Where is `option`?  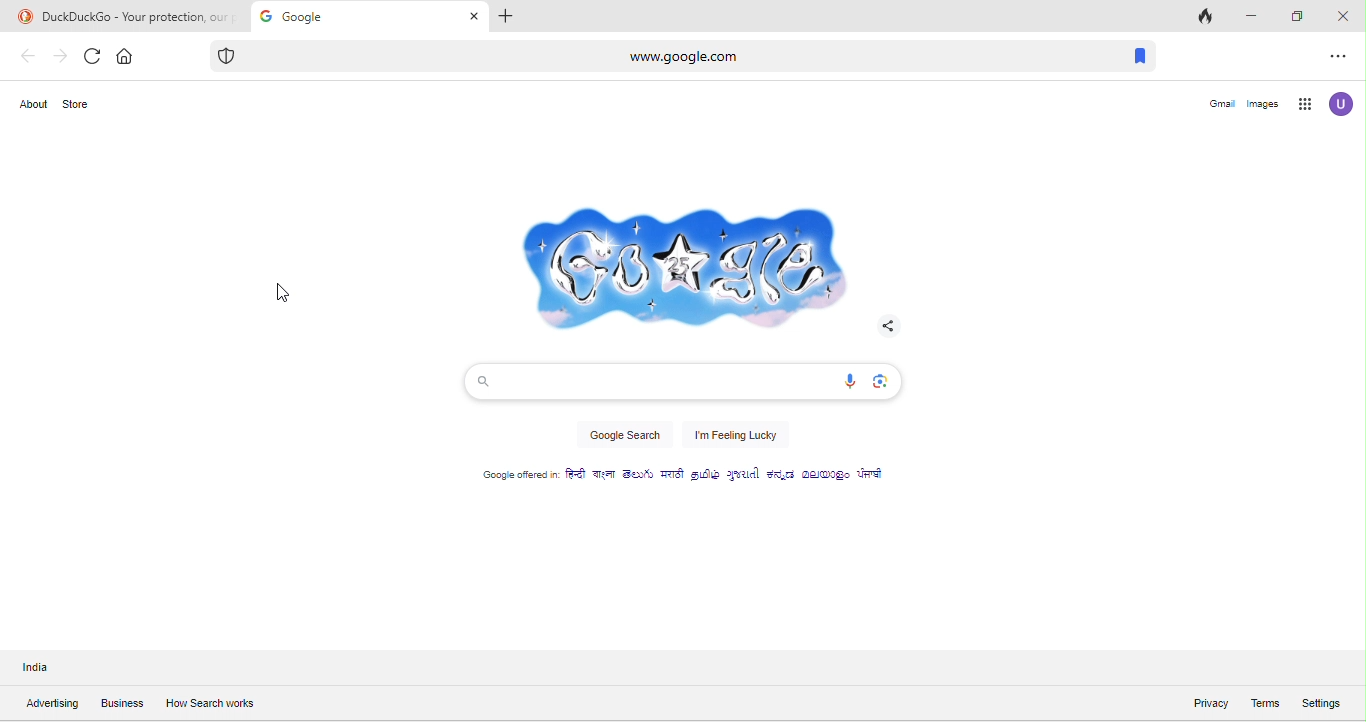 option is located at coordinates (1340, 56).